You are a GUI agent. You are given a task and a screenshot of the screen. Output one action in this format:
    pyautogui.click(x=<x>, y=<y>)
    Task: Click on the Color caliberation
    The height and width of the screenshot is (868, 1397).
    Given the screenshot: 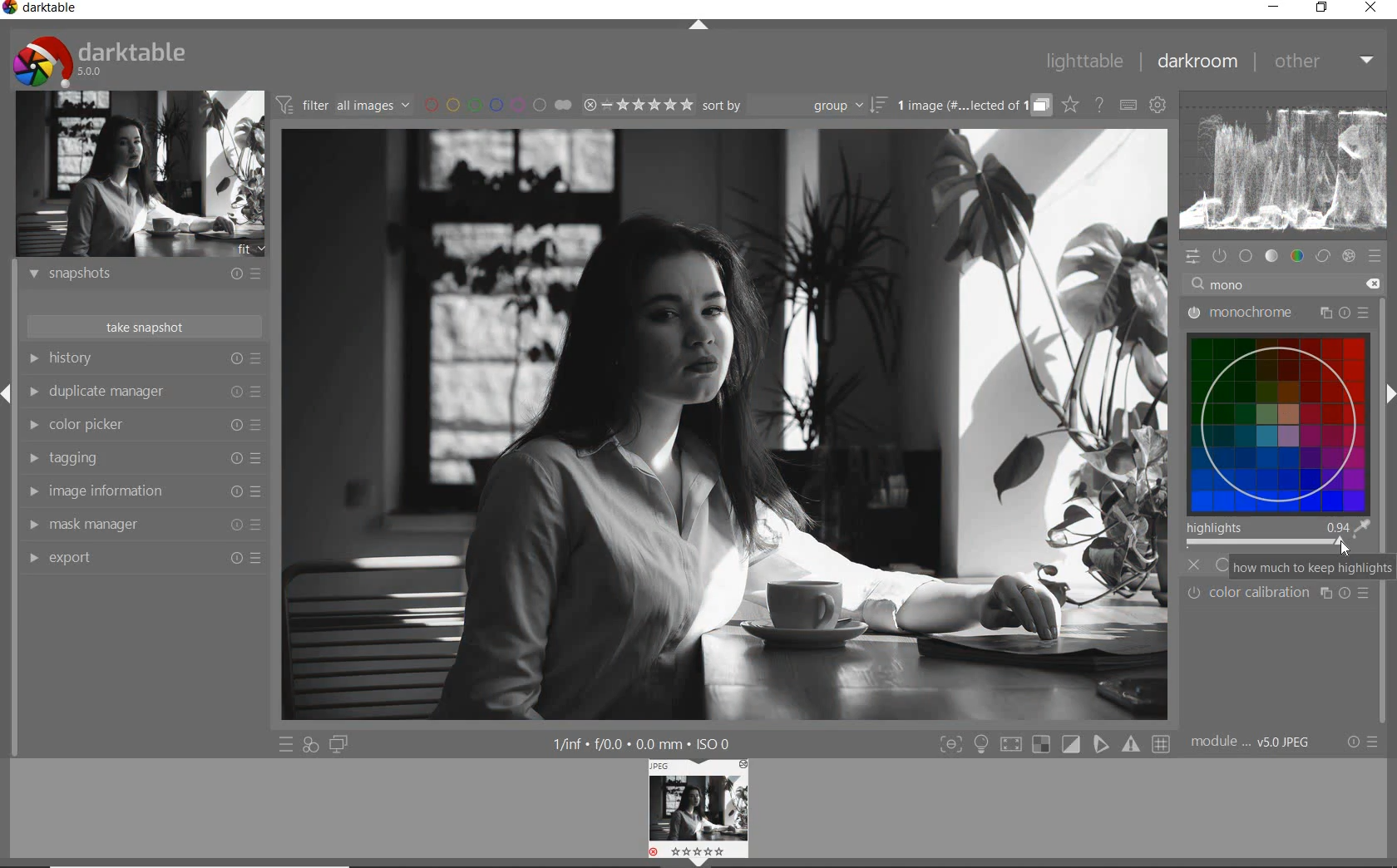 What is the action you would take?
    pyautogui.click(x=1281, y=594)
    